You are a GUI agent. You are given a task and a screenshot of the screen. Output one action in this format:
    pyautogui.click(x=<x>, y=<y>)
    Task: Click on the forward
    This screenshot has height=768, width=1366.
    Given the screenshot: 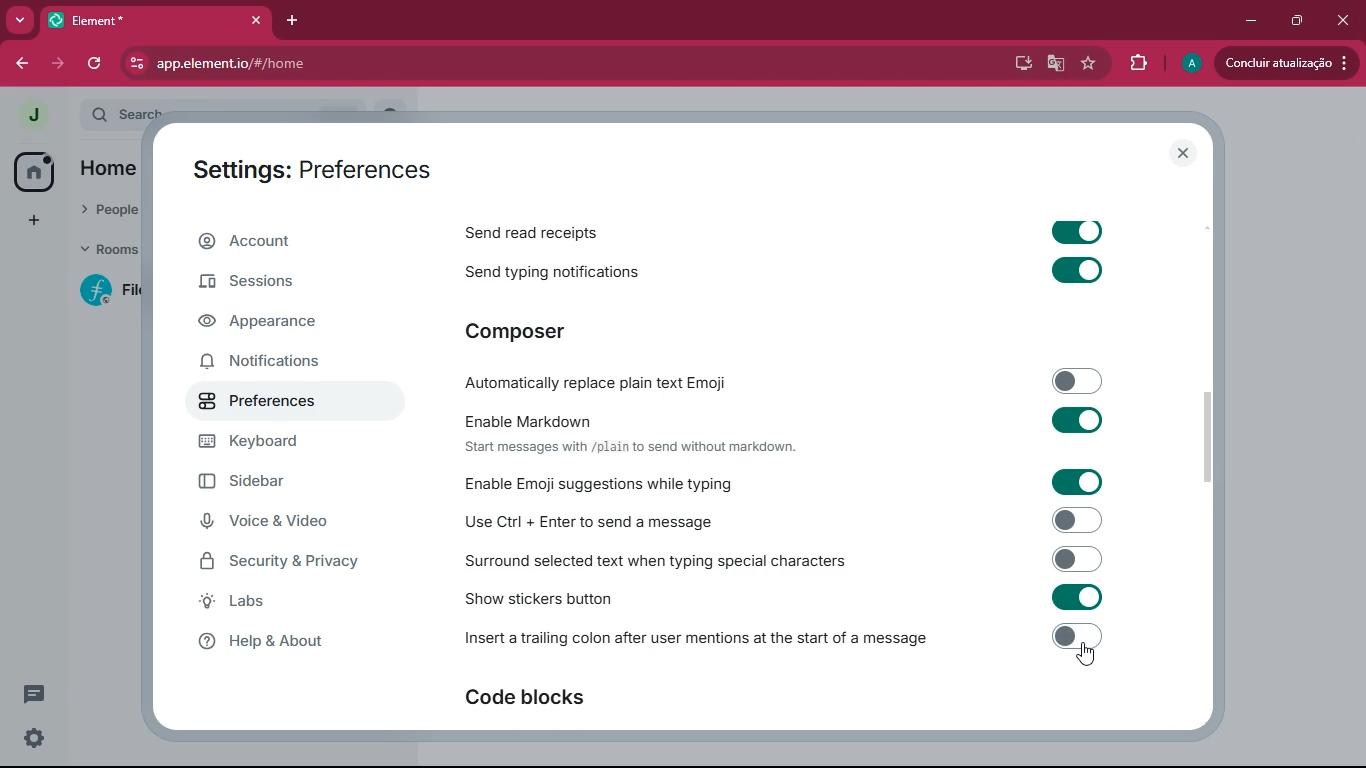 What is the action you would take?
    pyautogui.click(x=61, y=64)
    